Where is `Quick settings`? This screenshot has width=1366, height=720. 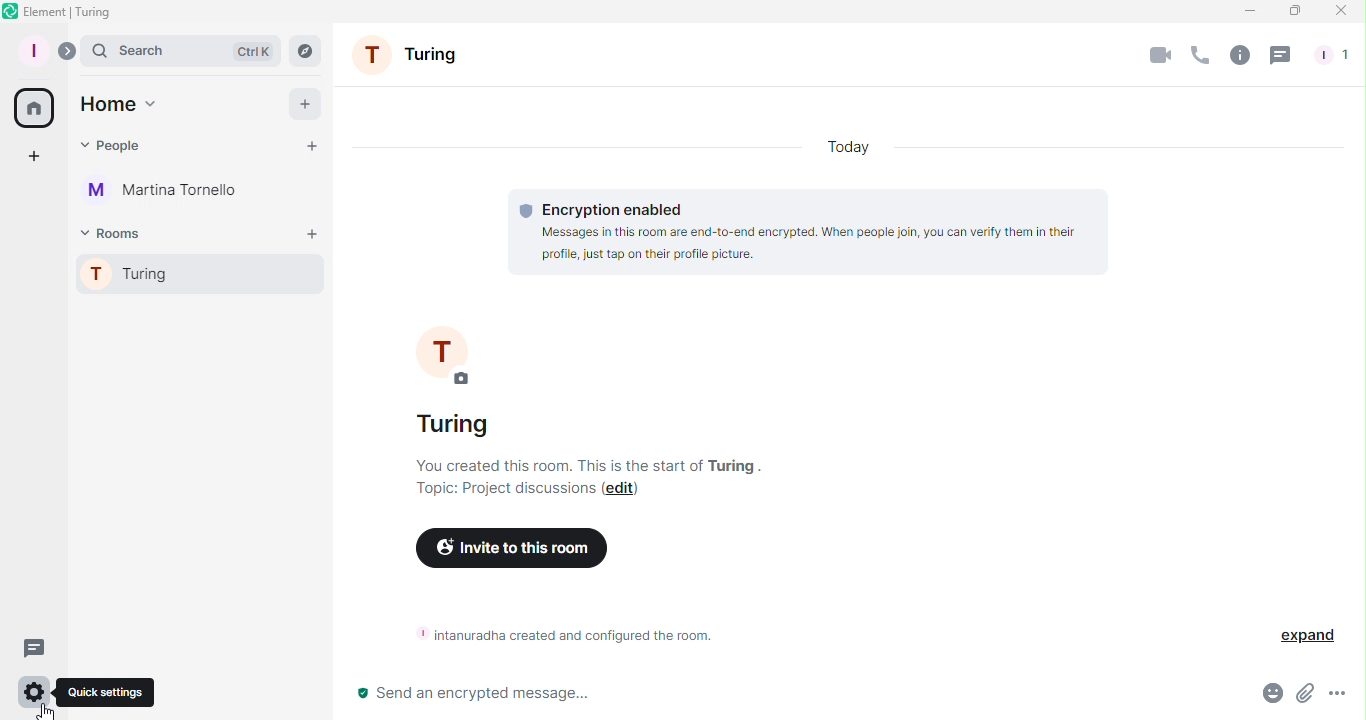
Quick settings is located at coordinates (107, 693).